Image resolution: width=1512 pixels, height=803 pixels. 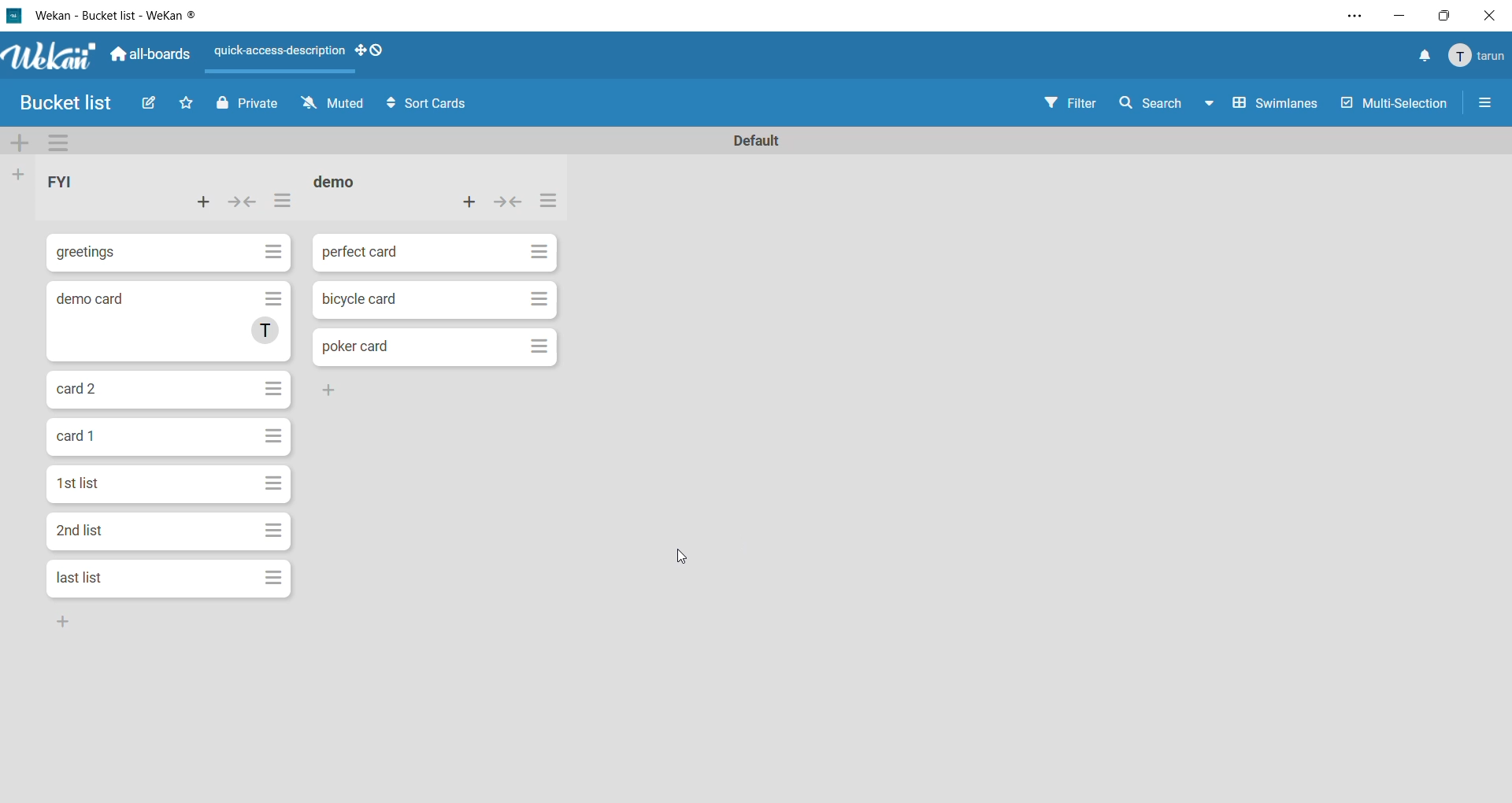 What do you see at coordinates (757, 142) in the screenshot?
I see `Default` at bounding box center [757, 142].